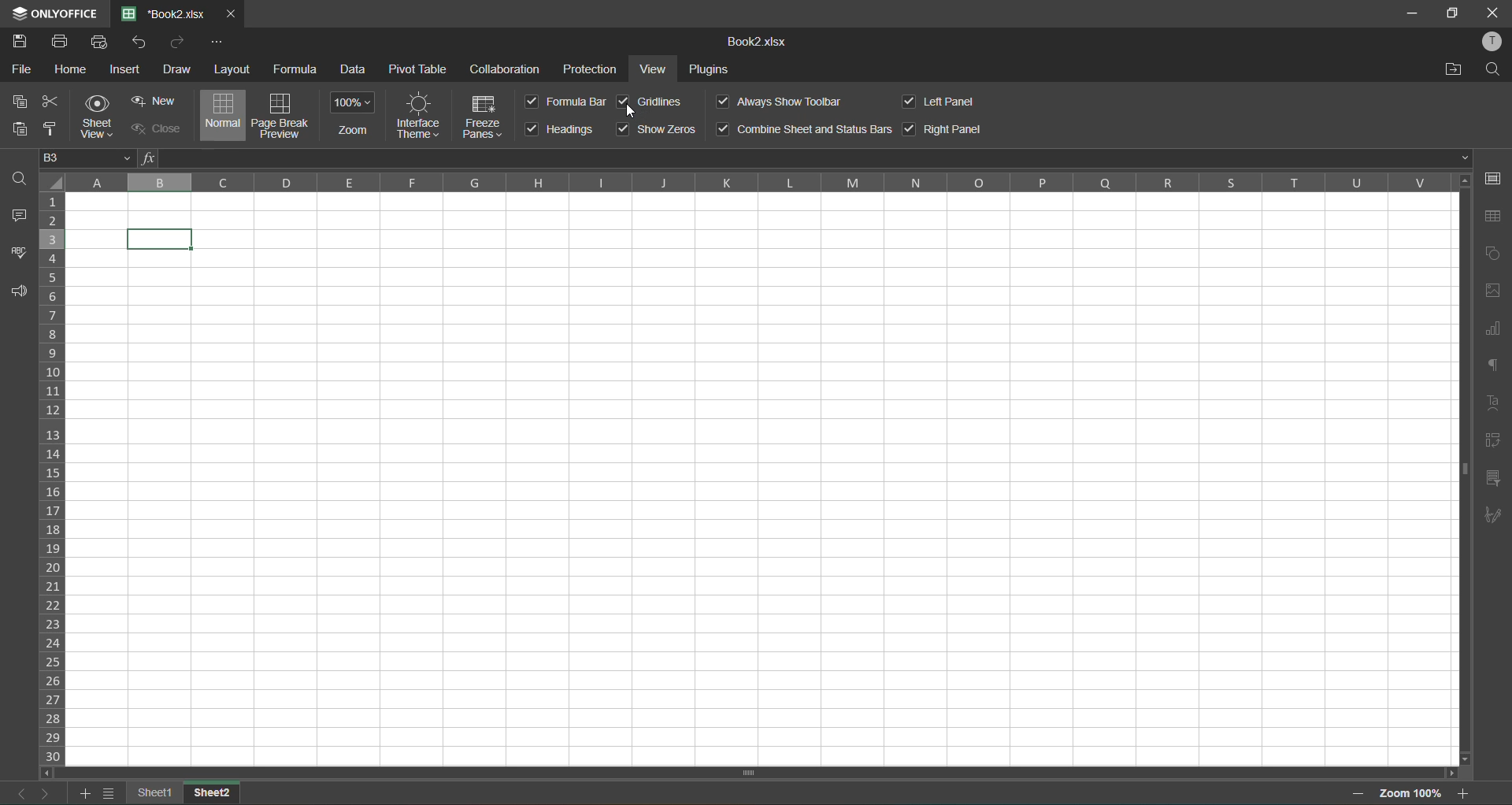 This screenshot has height=805, width=1512. Describe the element at coordinates (124, 69) in the screenshot. I see `insert` at that location.